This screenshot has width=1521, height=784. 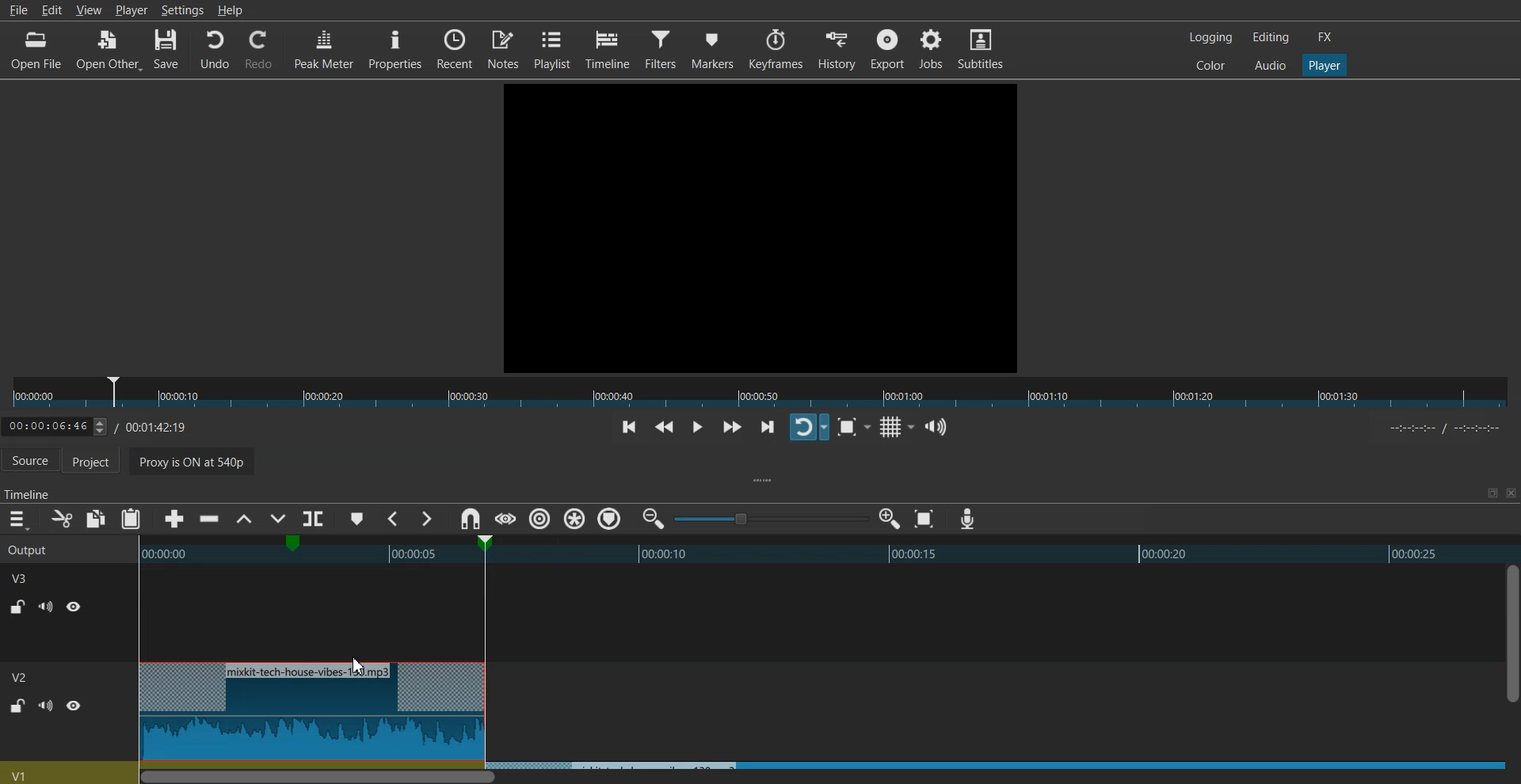 What do you see at coordinates (654, 518) in the screenshot?
I see `Zoom timeline out` at bounding box center [654, 518].